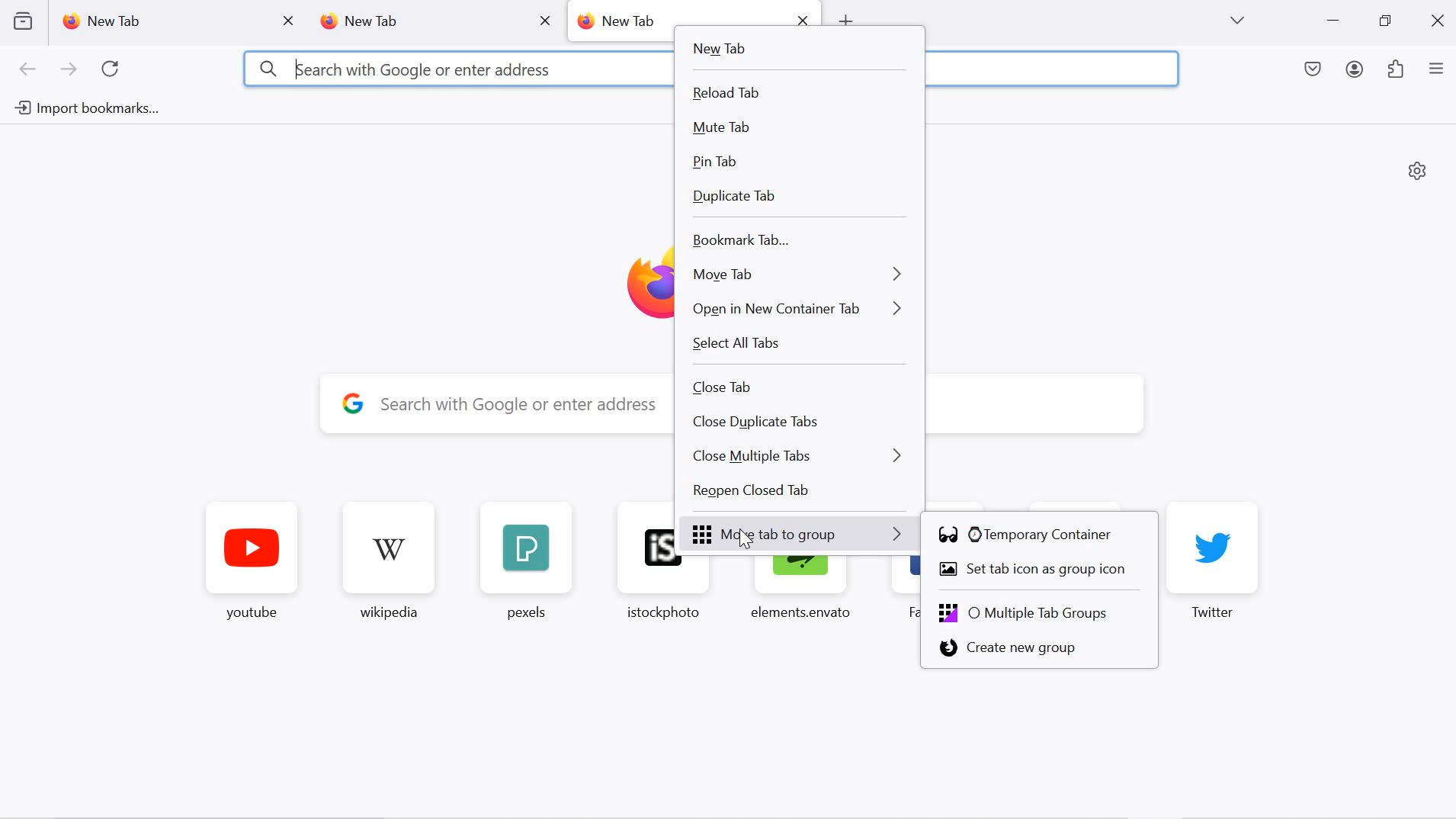 Image resolution: width=1456 pixels, height=819 pixels. Describe the element at coordinates (22, 21) in the screenshot. I see `view recent browsing across devices and windows` at that location.